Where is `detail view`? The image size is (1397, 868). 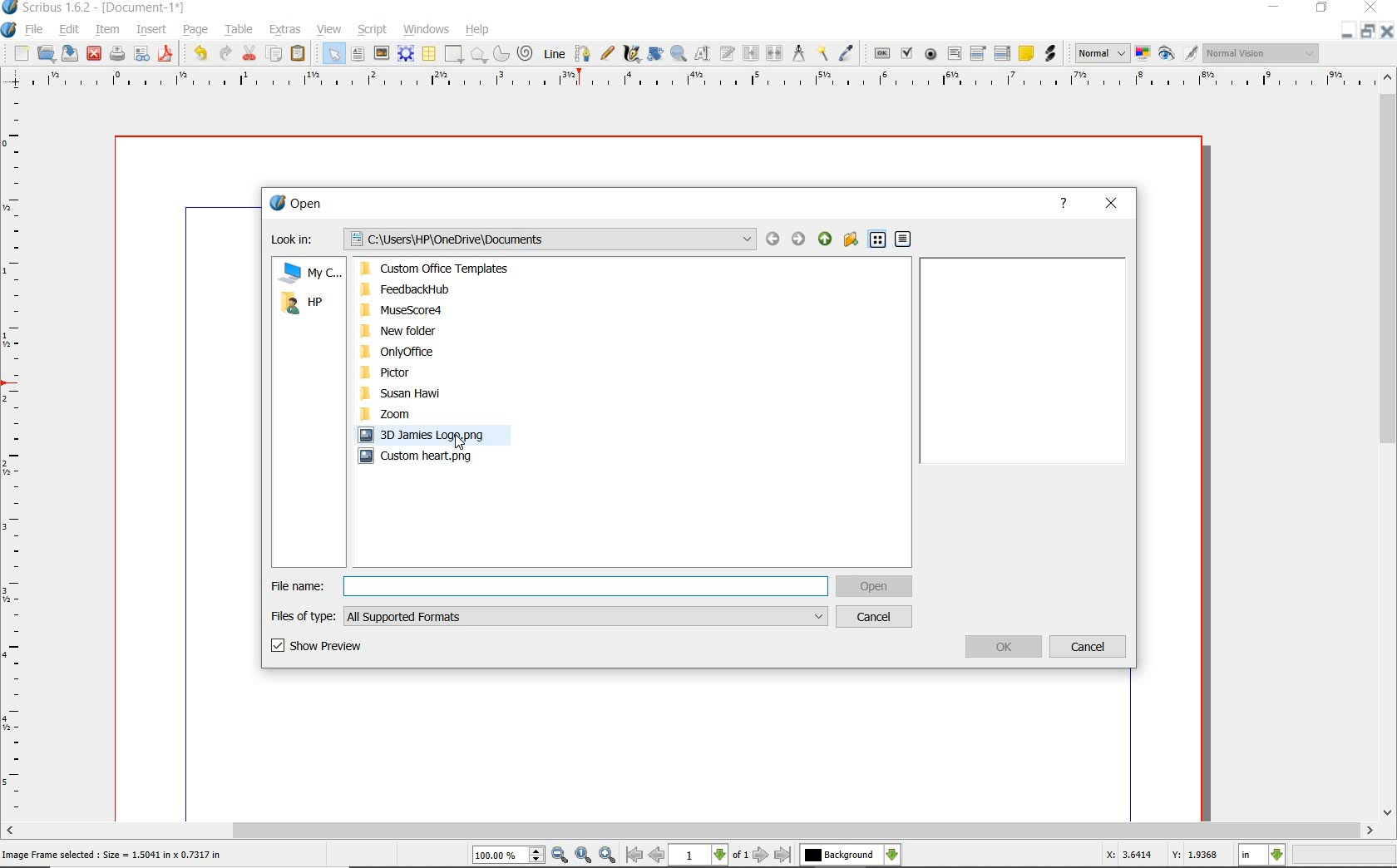 detail view is located at coordinates (903, 241).